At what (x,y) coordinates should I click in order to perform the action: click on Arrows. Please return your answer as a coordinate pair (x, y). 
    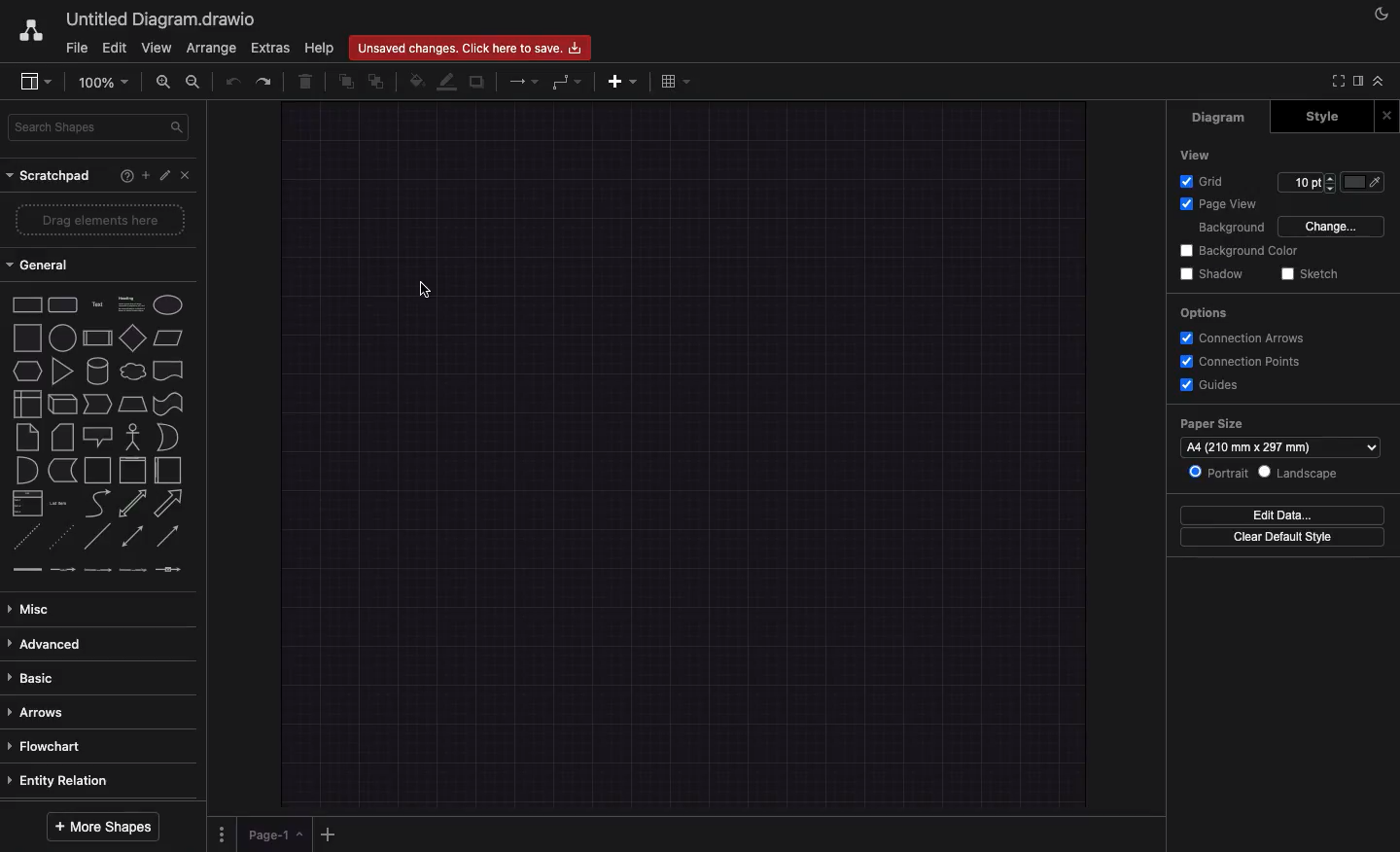
    Looking at the image, I should click on (521, 80).